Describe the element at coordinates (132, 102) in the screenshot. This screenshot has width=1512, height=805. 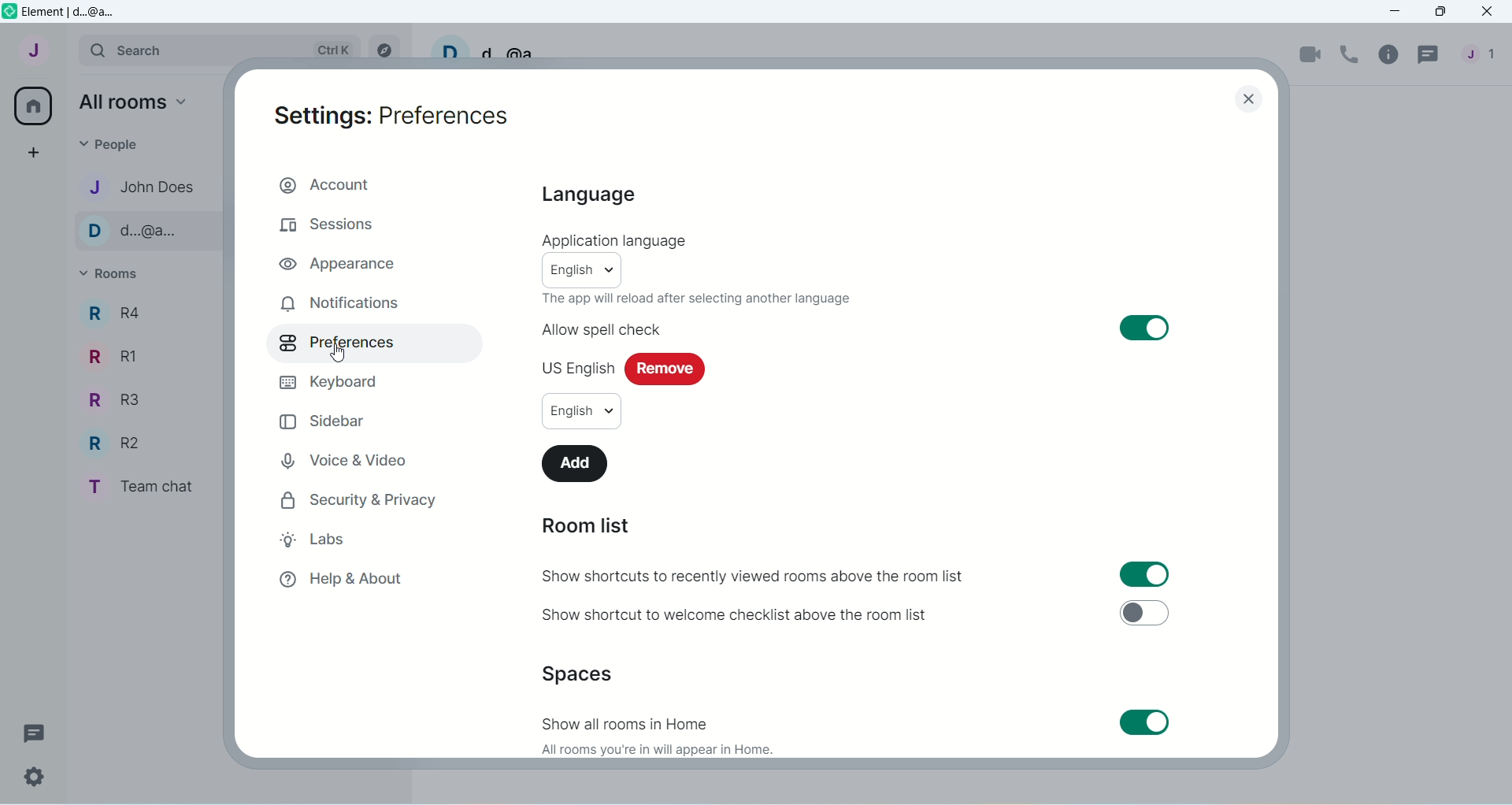
I see `all rooms` at that location.